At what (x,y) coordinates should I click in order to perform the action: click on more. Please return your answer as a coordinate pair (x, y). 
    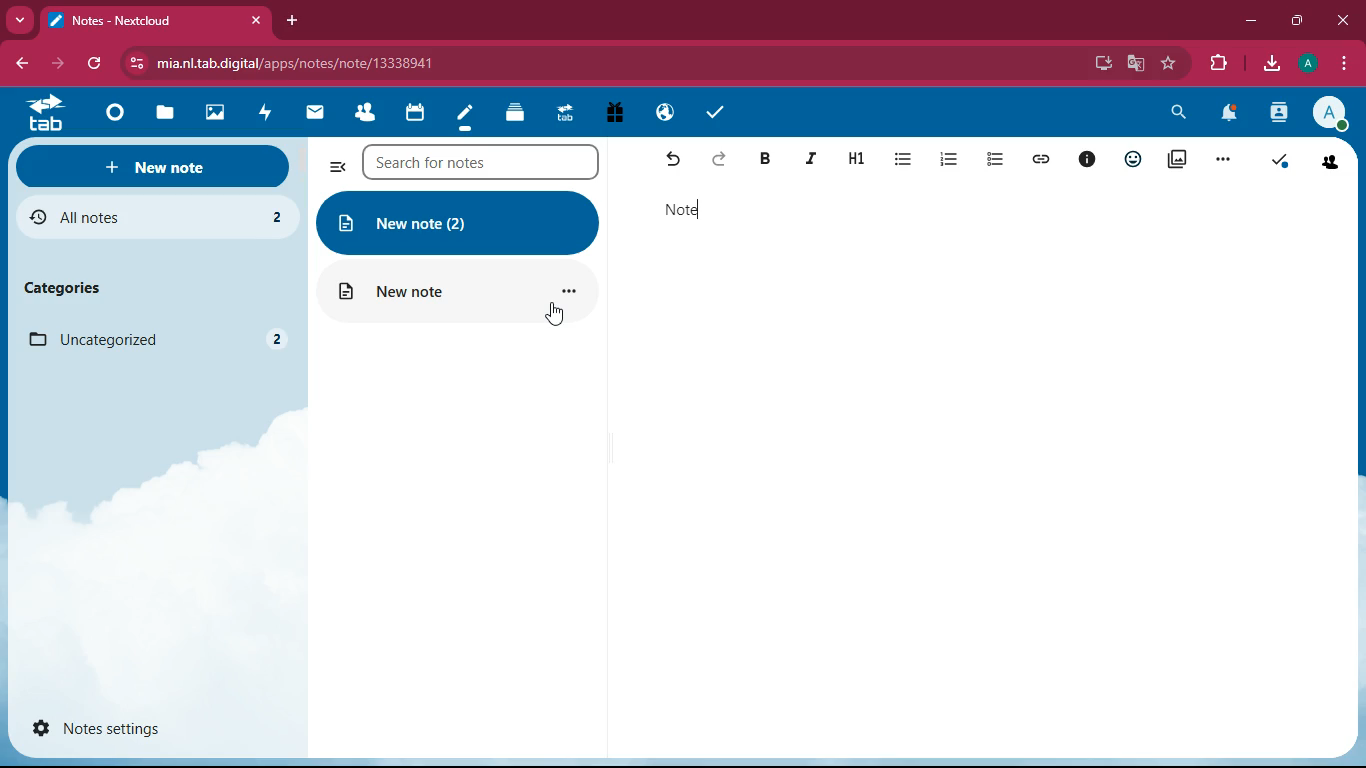
    Looking at the image, I should click on (1226, 162).